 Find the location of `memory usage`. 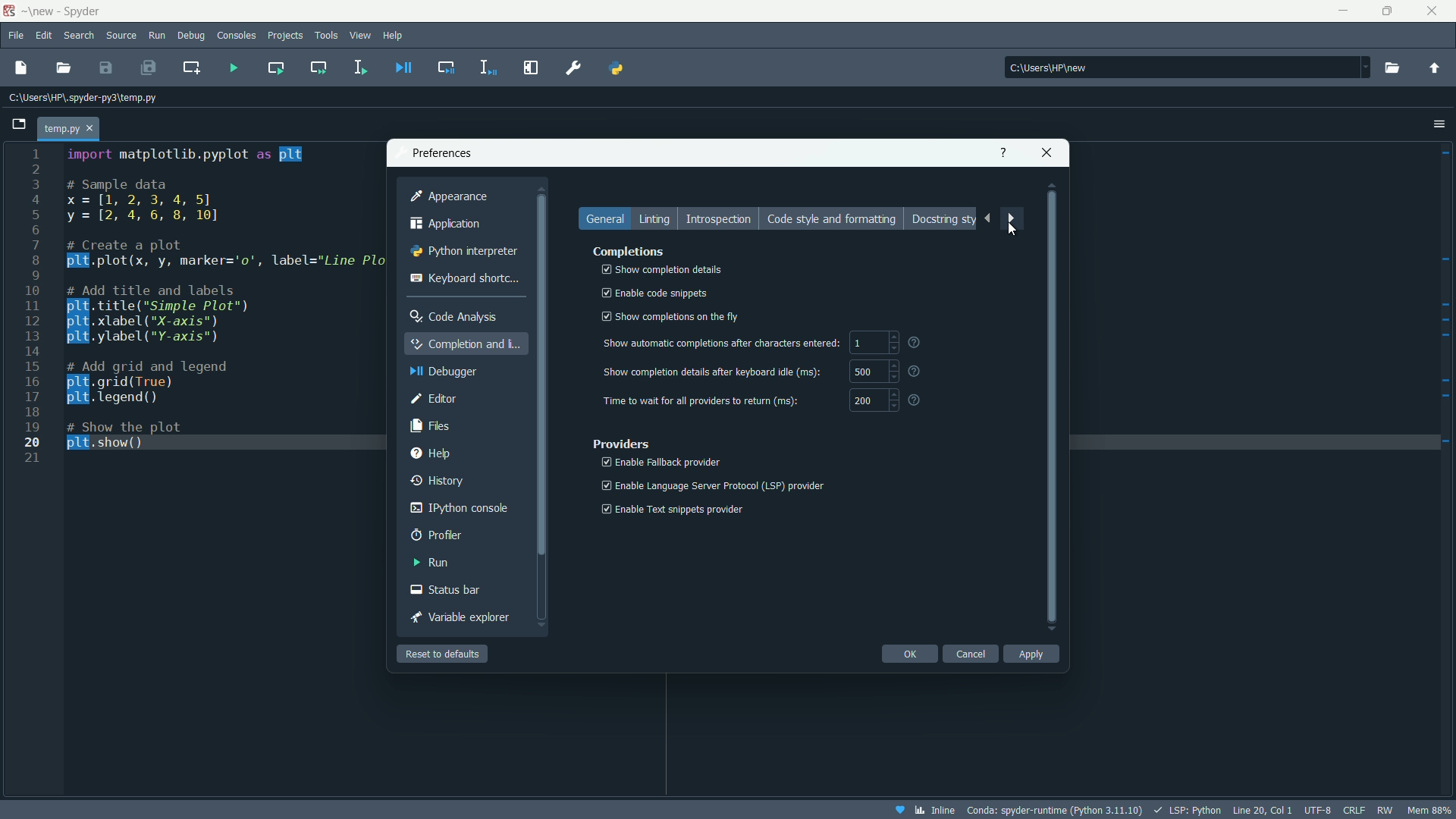

memory usage is located at coordinates (1432, 810).